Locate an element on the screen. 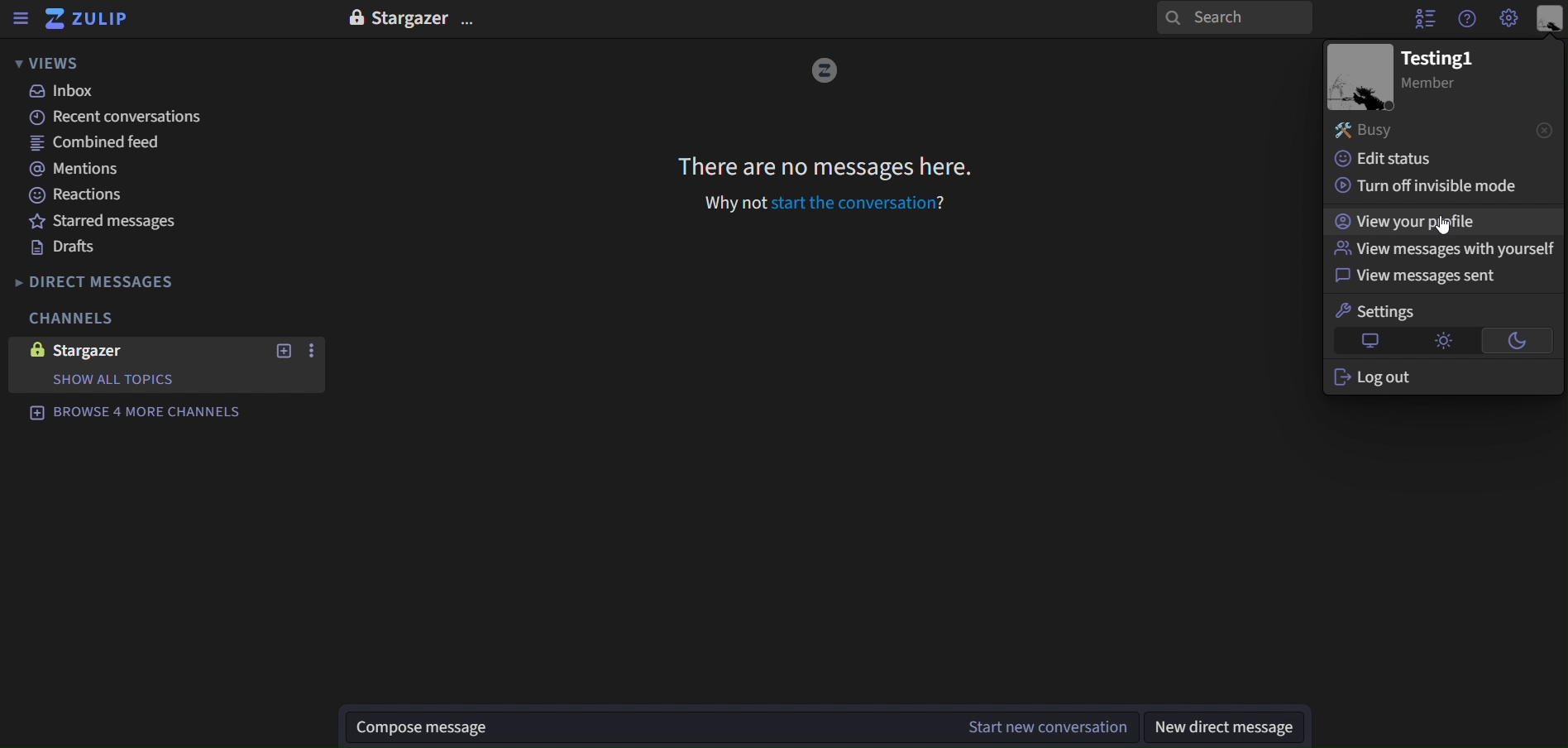 The height and width of the screenshot is (748, 1568). show all topics is located at coordinates (97, 377).